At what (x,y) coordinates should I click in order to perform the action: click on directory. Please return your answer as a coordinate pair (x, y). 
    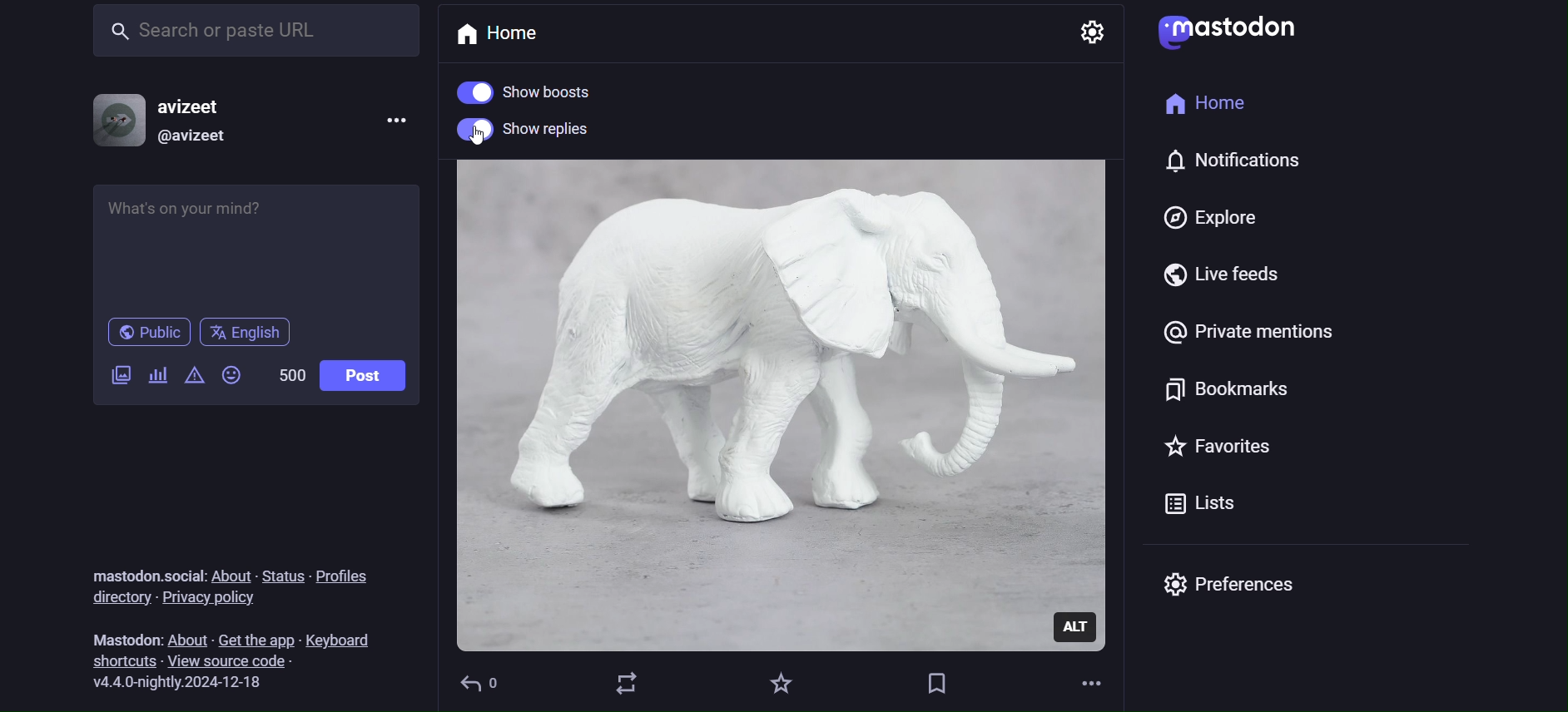
    Looking at the image, I should click on (117, 597).